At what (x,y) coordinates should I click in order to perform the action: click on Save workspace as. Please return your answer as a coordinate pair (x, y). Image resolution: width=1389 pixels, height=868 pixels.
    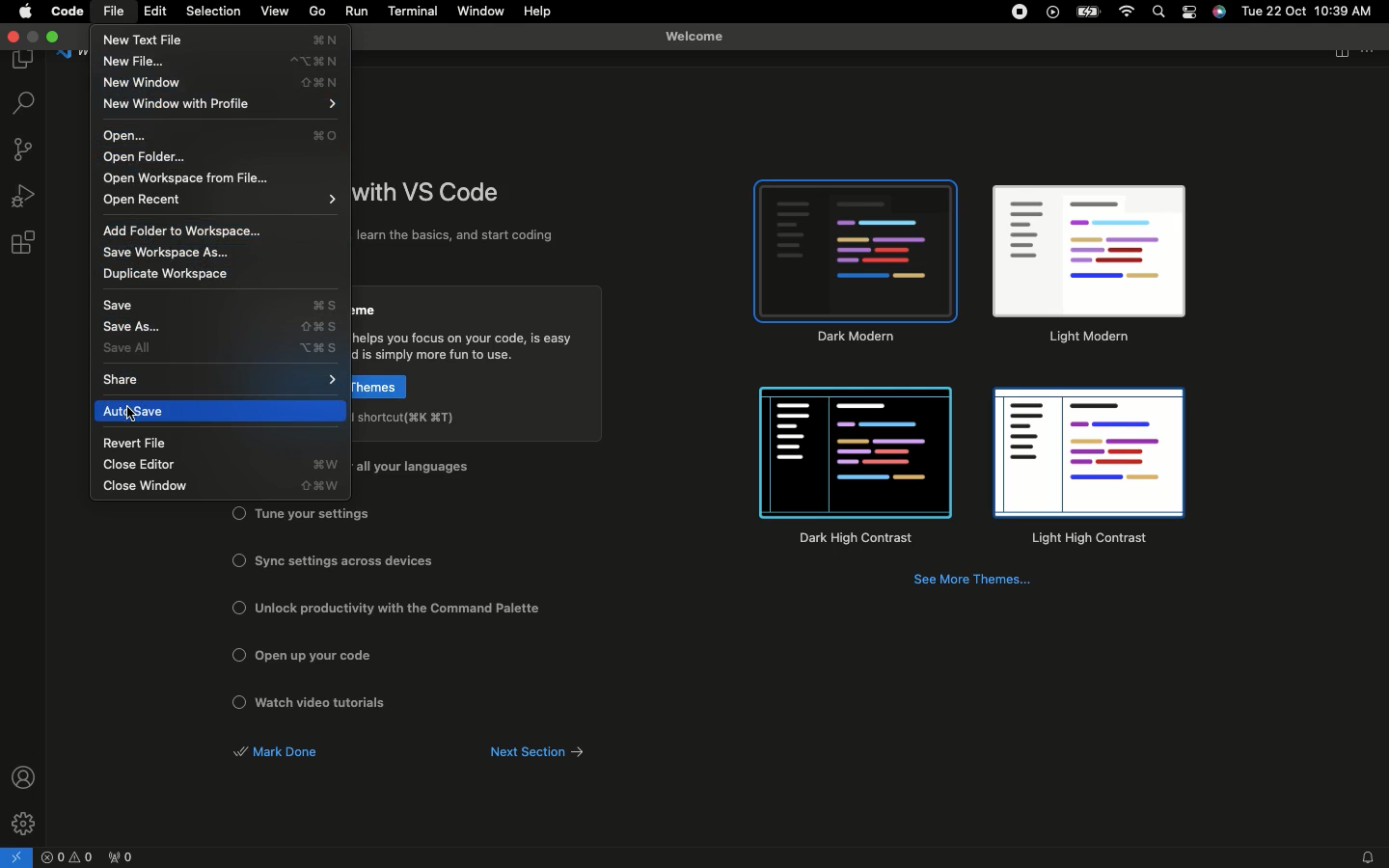
    Looking at the image, I should click on (168, 255).